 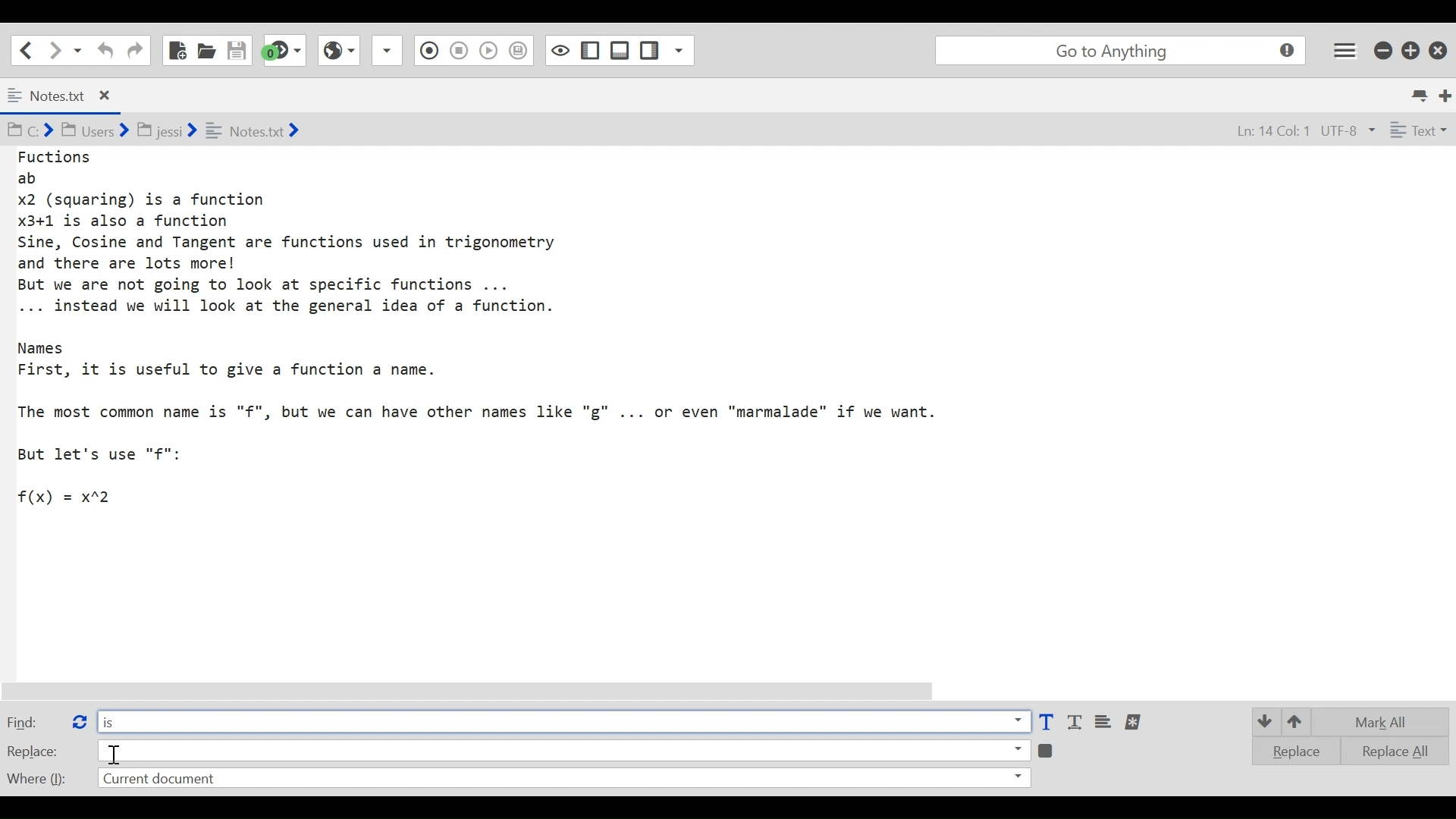 I want to click on Play Last Macro, so click(x=338, y=49).